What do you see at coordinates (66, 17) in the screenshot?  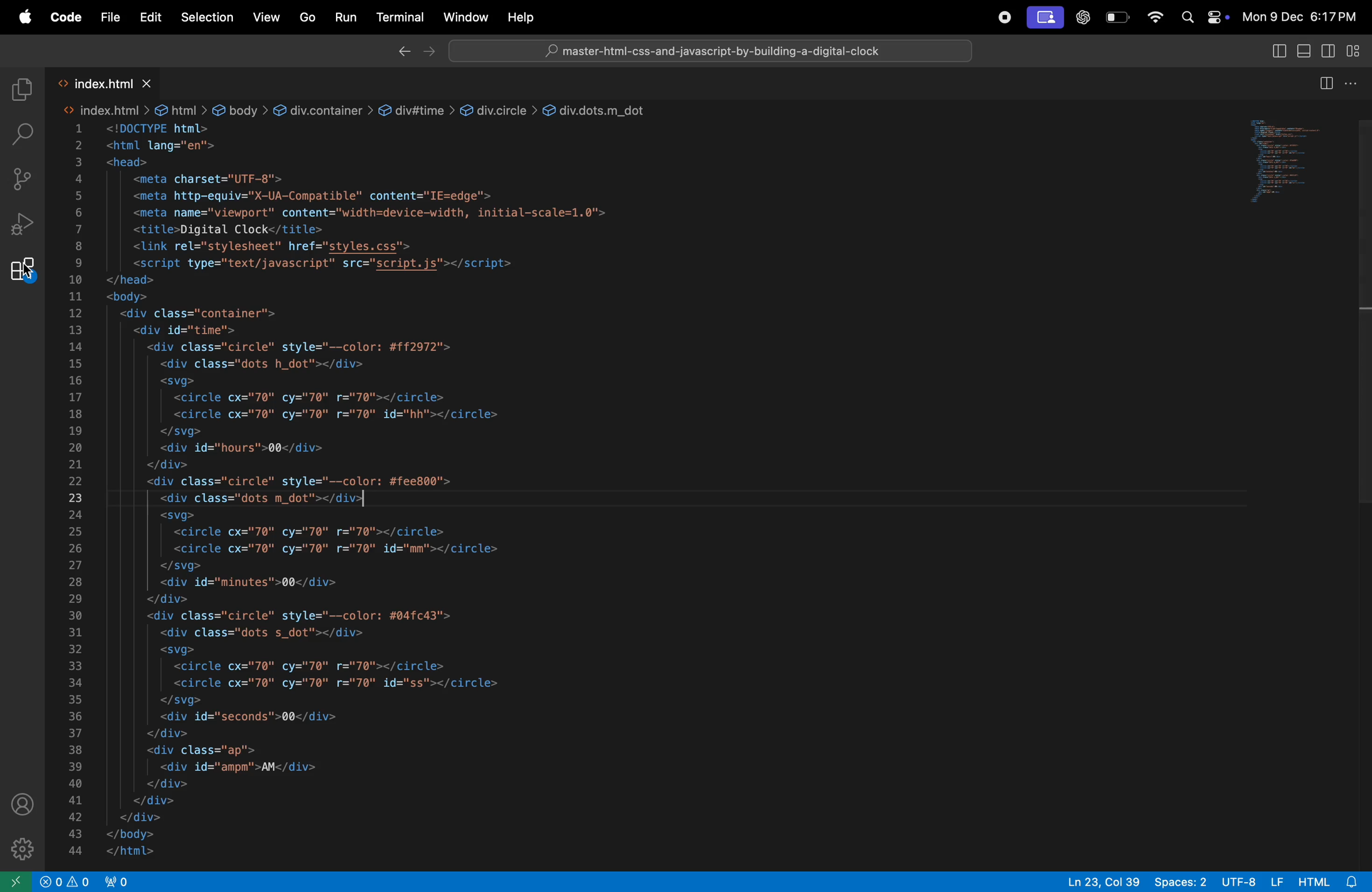 I see `Code` at bounding box center [66, 17].